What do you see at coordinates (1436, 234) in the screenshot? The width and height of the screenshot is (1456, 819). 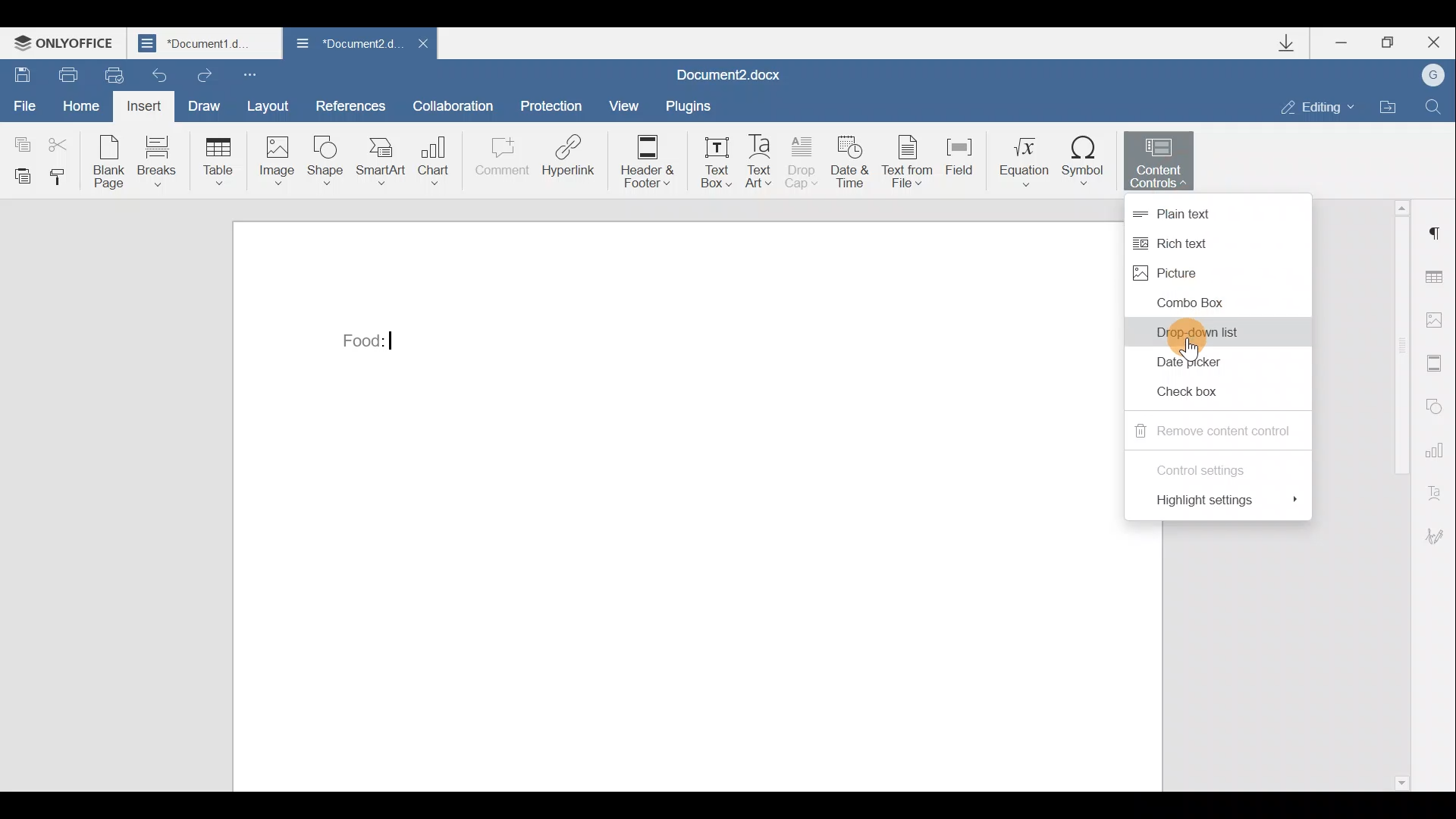 I see `Paragraph settings` at bounding box center [1436, 234].